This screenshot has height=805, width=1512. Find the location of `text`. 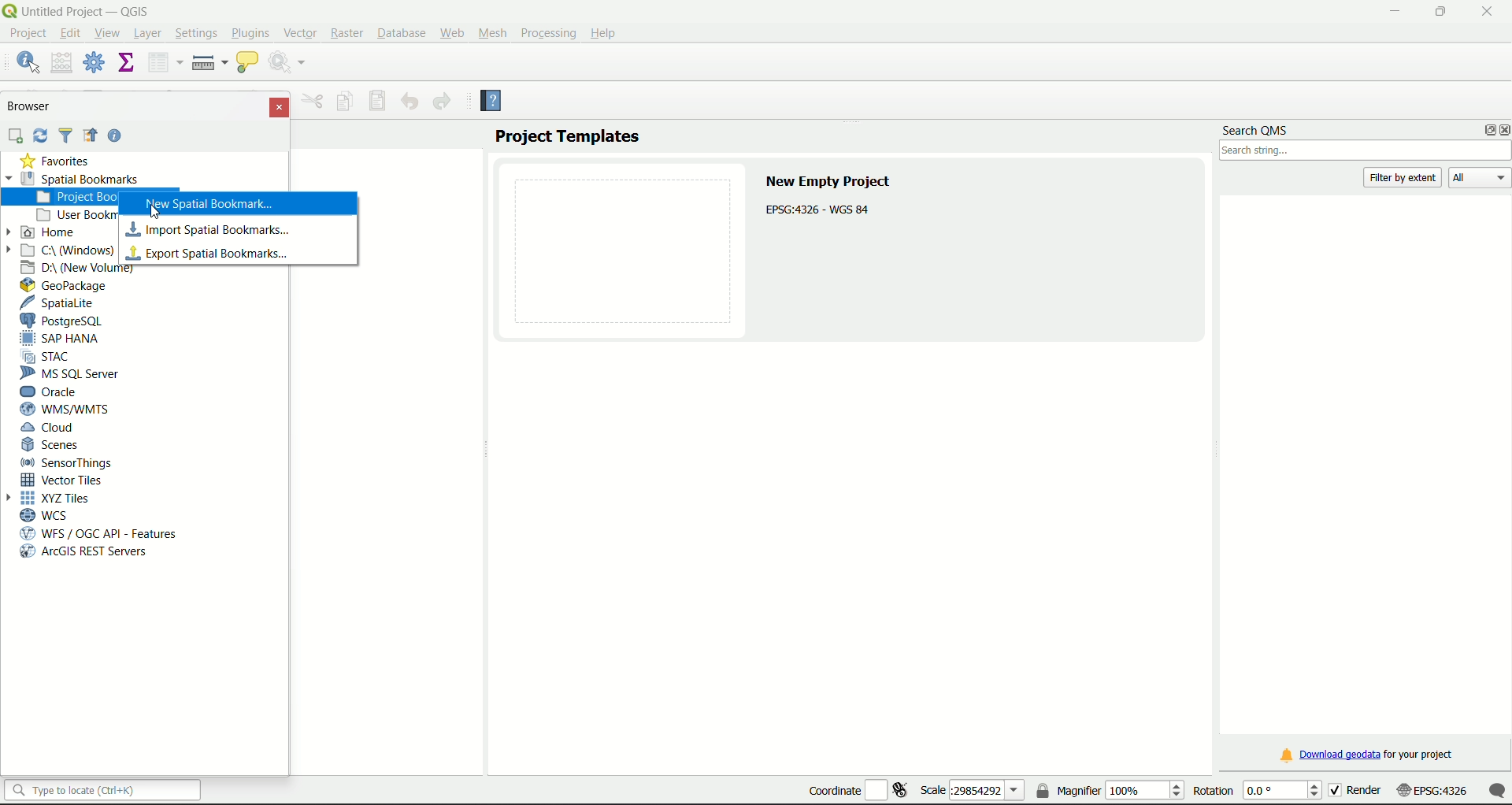

text is located at coordinates (832, 198).